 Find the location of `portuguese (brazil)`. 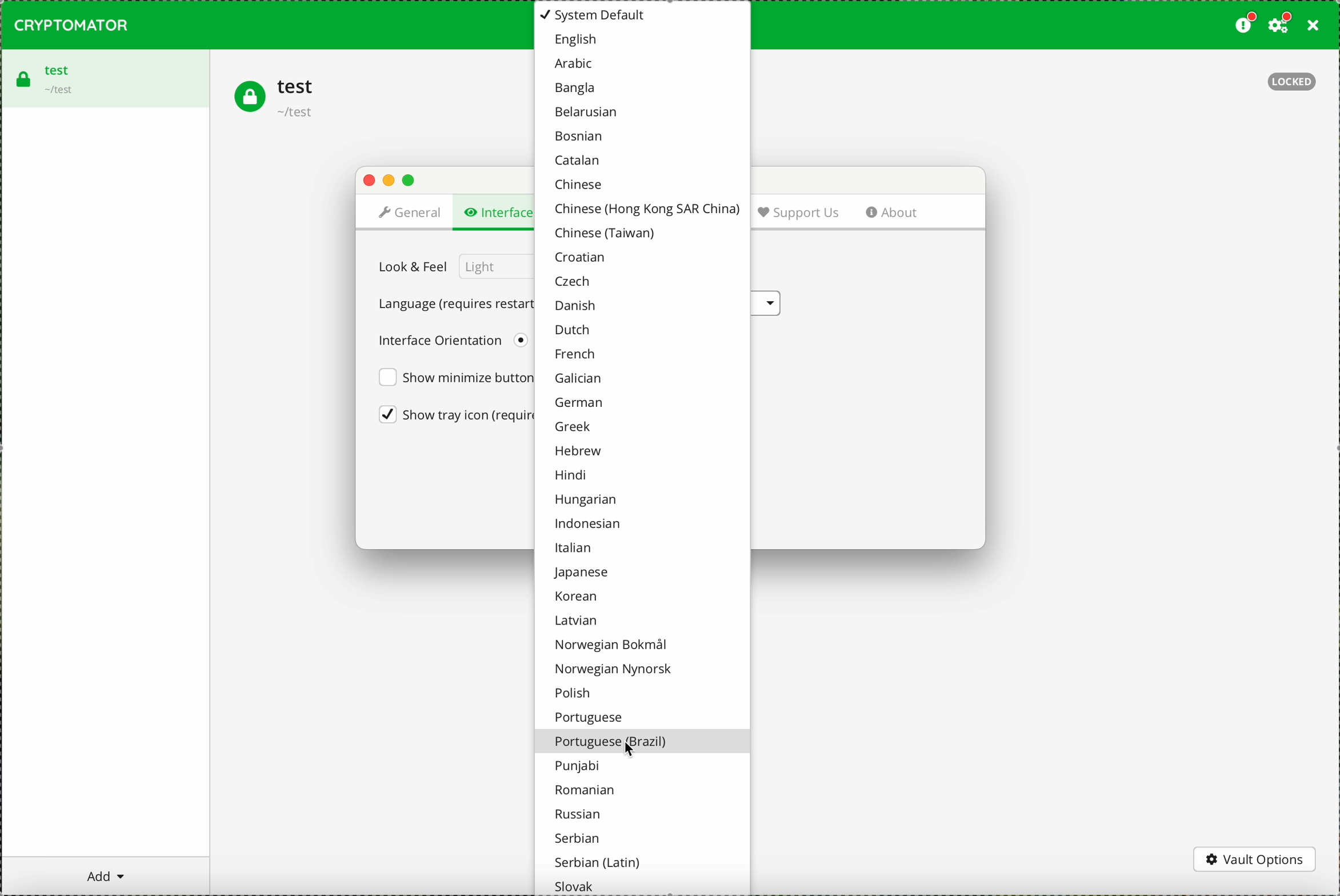

portuguese (brazil) is located at coordinates (644, 741).